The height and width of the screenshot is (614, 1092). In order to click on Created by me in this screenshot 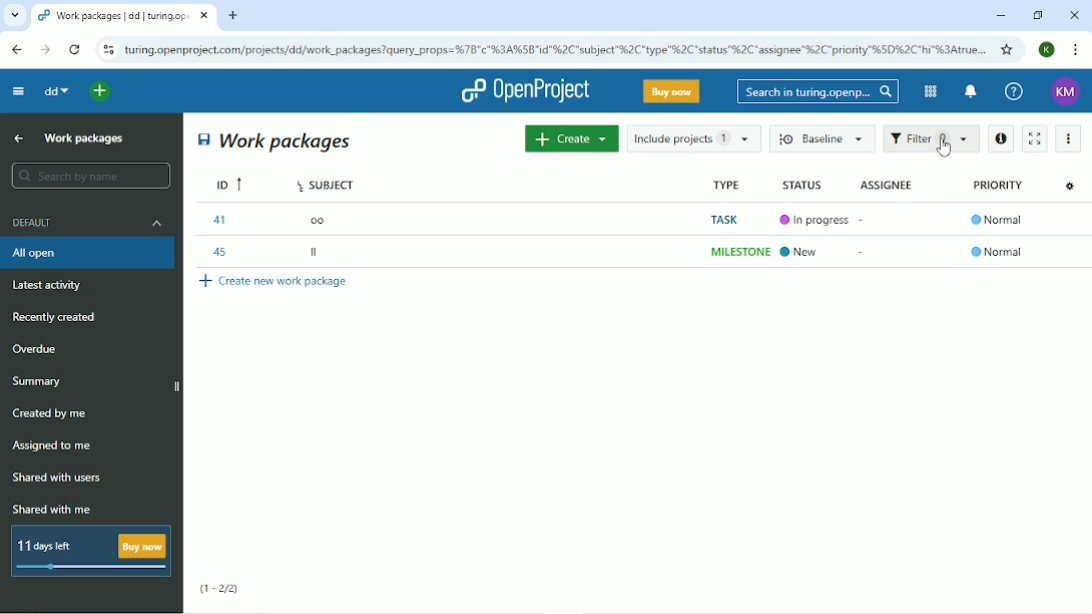, I will do `click(53, 414)`.